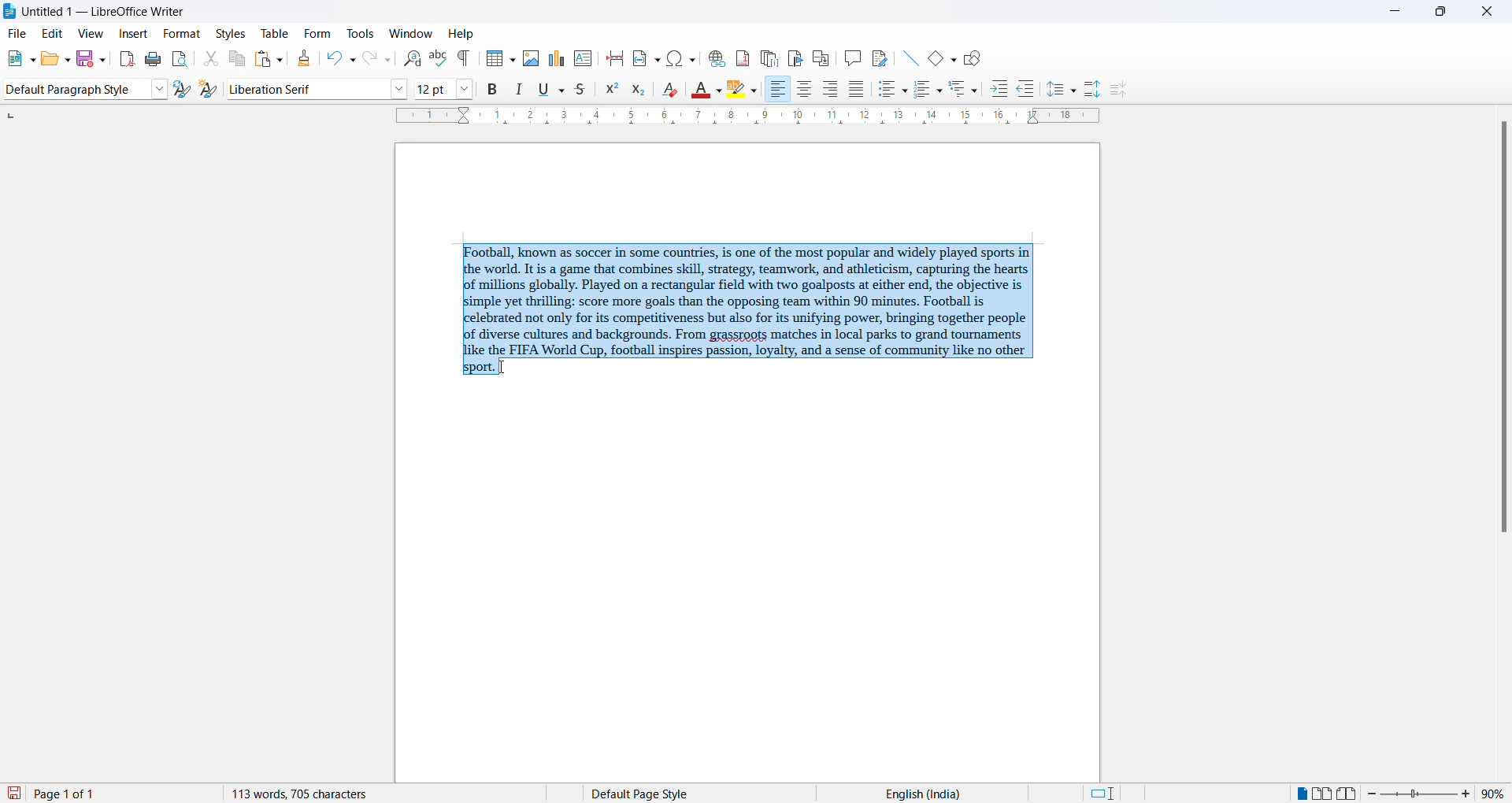  I want to click on outline format options, so click(976, 91).